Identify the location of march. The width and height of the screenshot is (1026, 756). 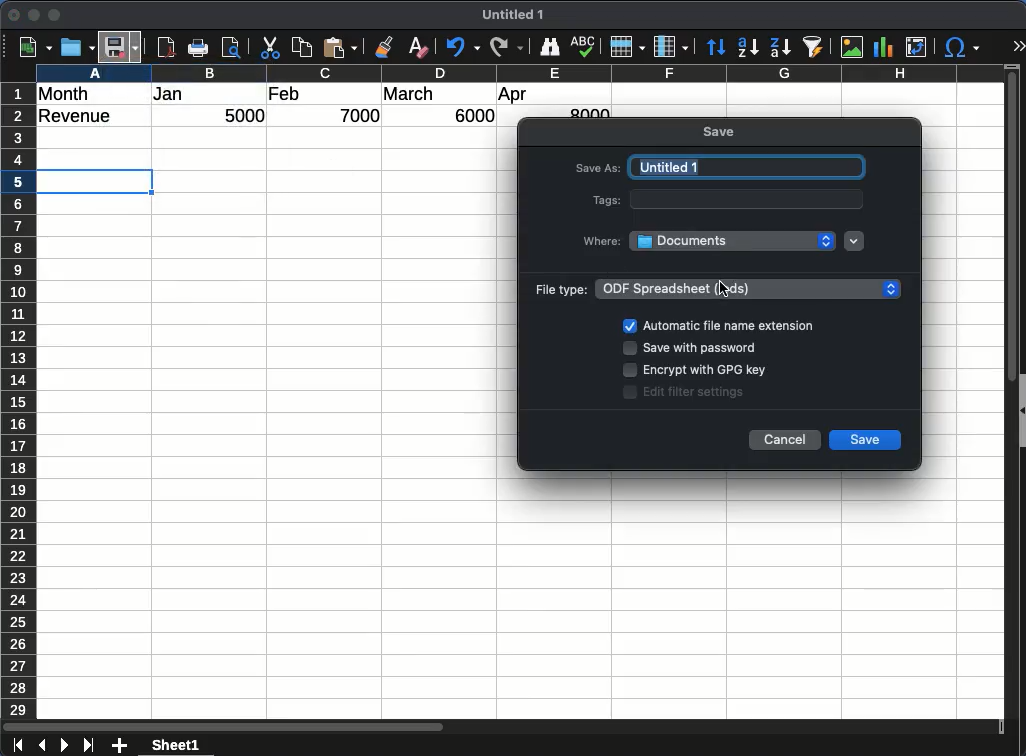
(409, 94).